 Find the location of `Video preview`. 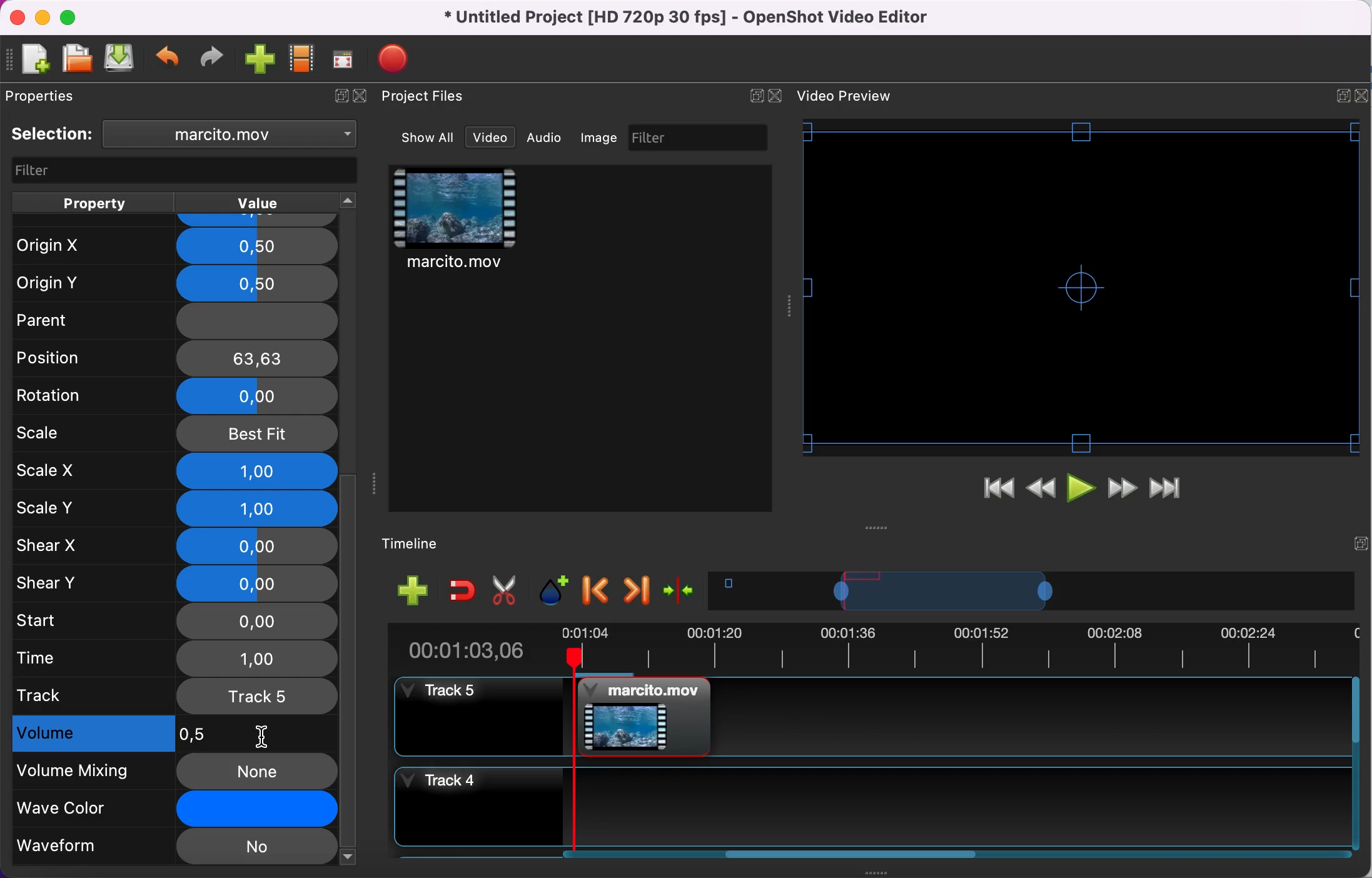

Video preview is located at coordinates (1081, 287).